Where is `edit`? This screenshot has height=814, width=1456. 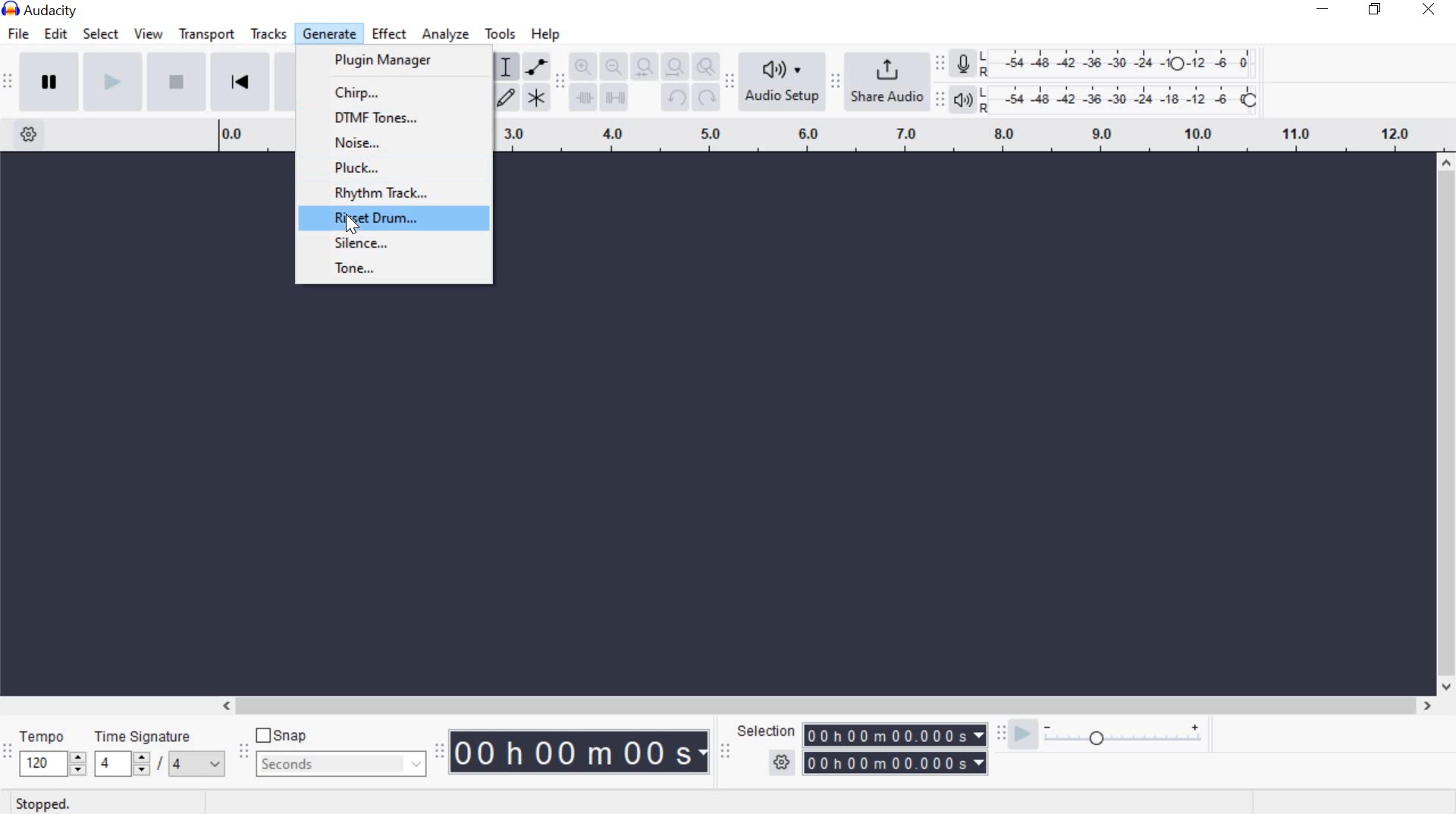 edit is located at coordinates (58, 33).